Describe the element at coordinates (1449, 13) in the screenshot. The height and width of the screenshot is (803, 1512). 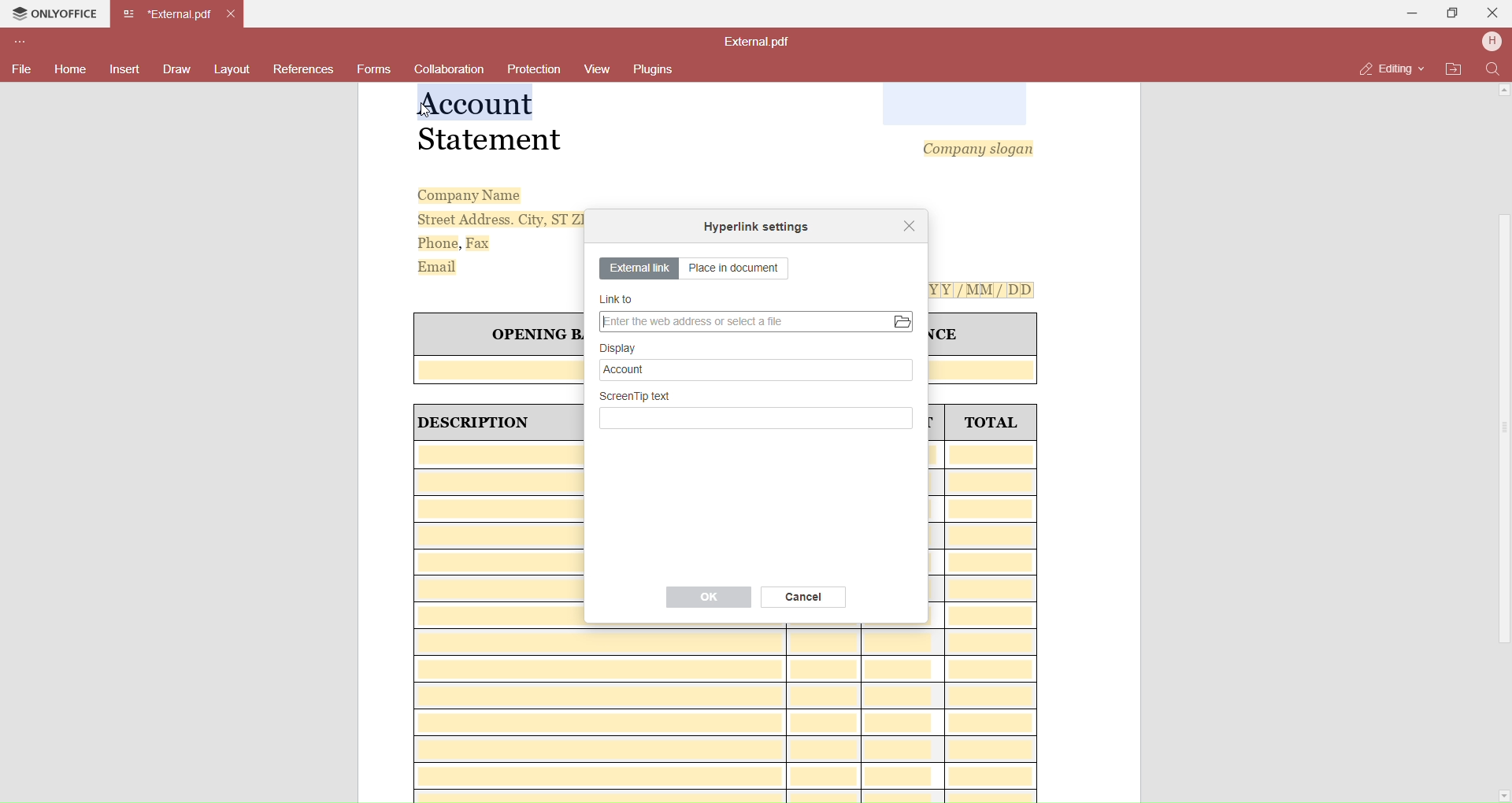
I see `Maximize` at that location.